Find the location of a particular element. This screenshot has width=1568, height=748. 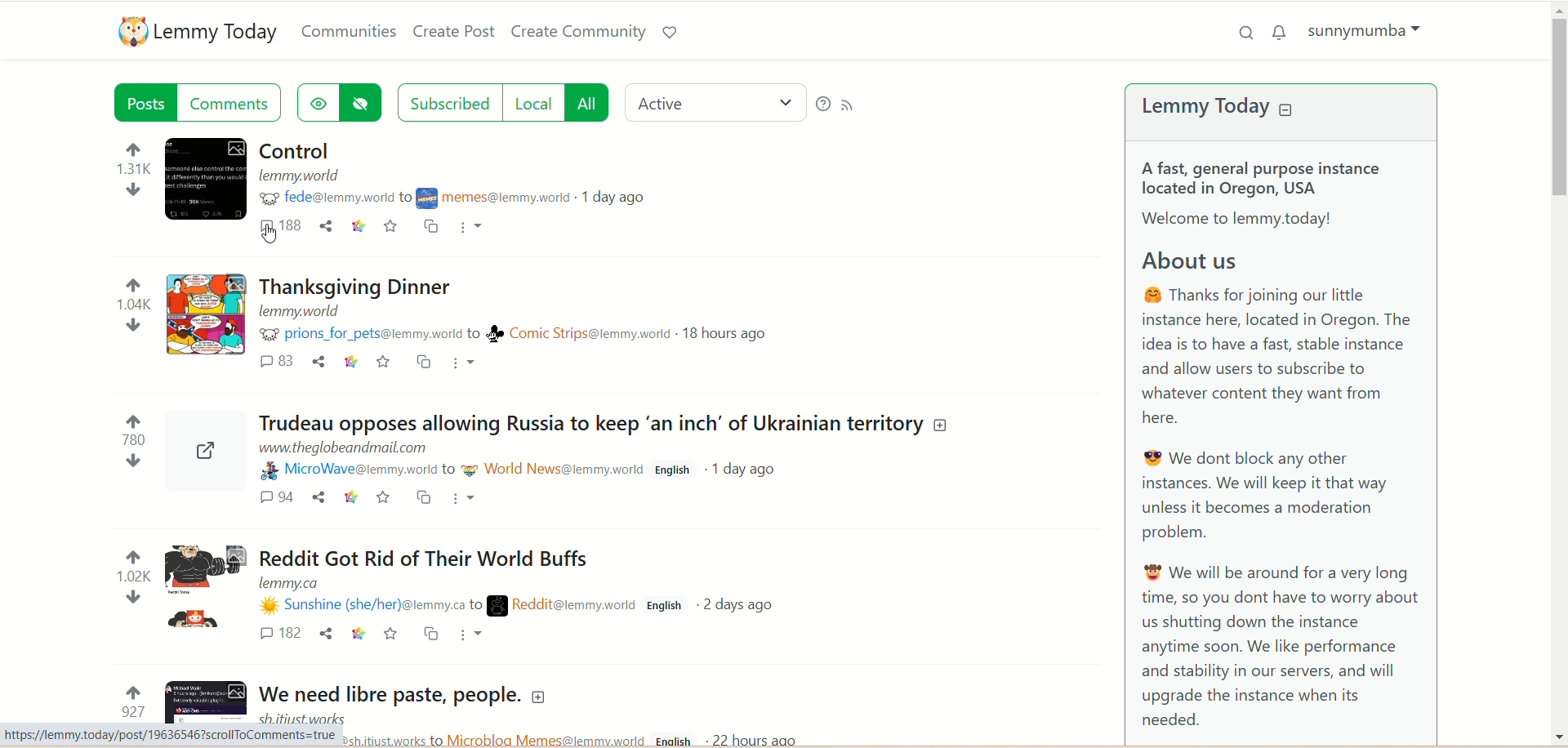

save is located at coordinates (395, 225).